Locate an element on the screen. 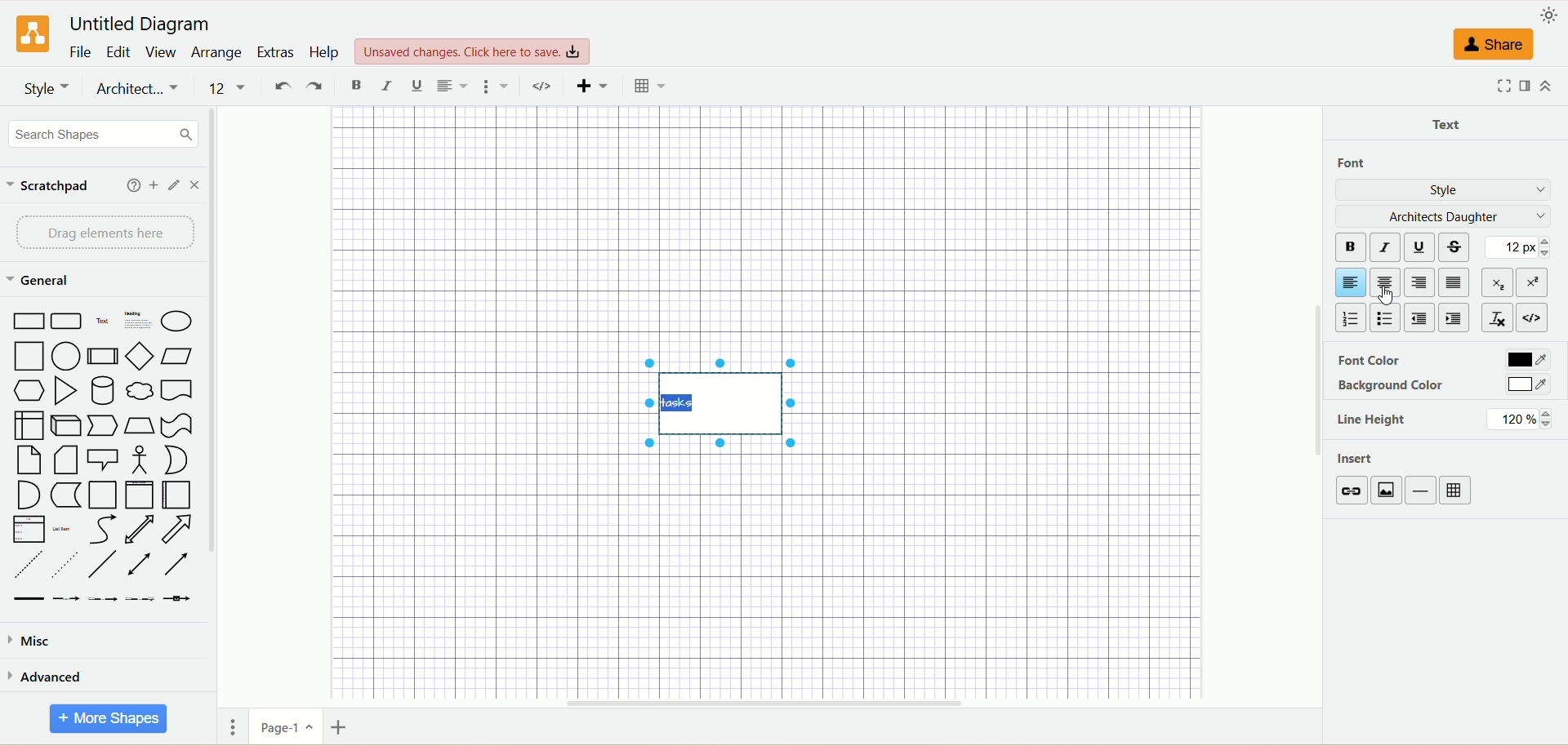 This screenshot has height=746, width=1568. Cursor Position is located at coordinates (1388, 290).